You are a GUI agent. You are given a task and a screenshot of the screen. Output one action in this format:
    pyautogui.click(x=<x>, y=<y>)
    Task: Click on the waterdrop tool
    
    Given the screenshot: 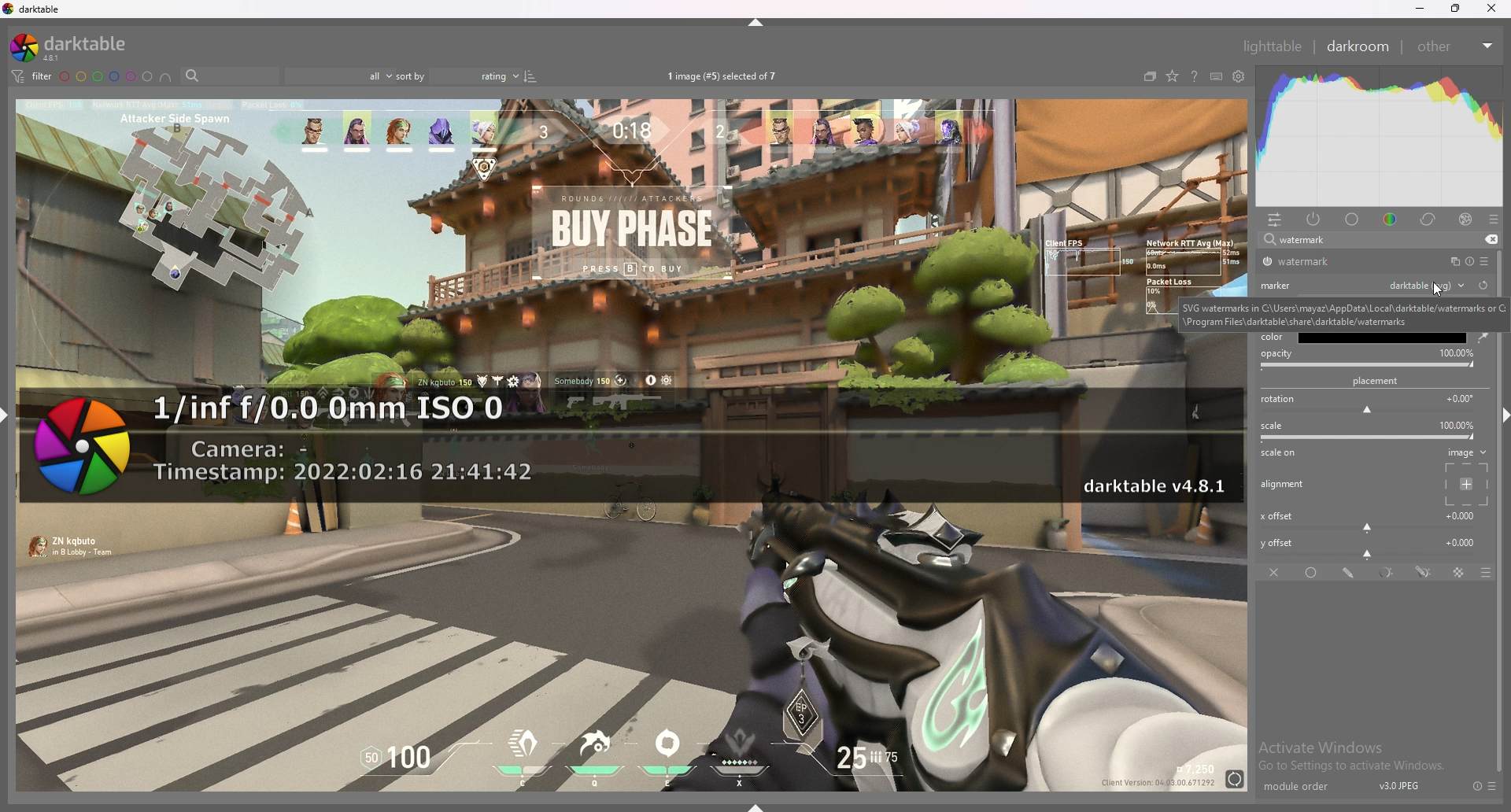 What is the action you would take?
    pyautogui.click(x=1479, y=337)
    